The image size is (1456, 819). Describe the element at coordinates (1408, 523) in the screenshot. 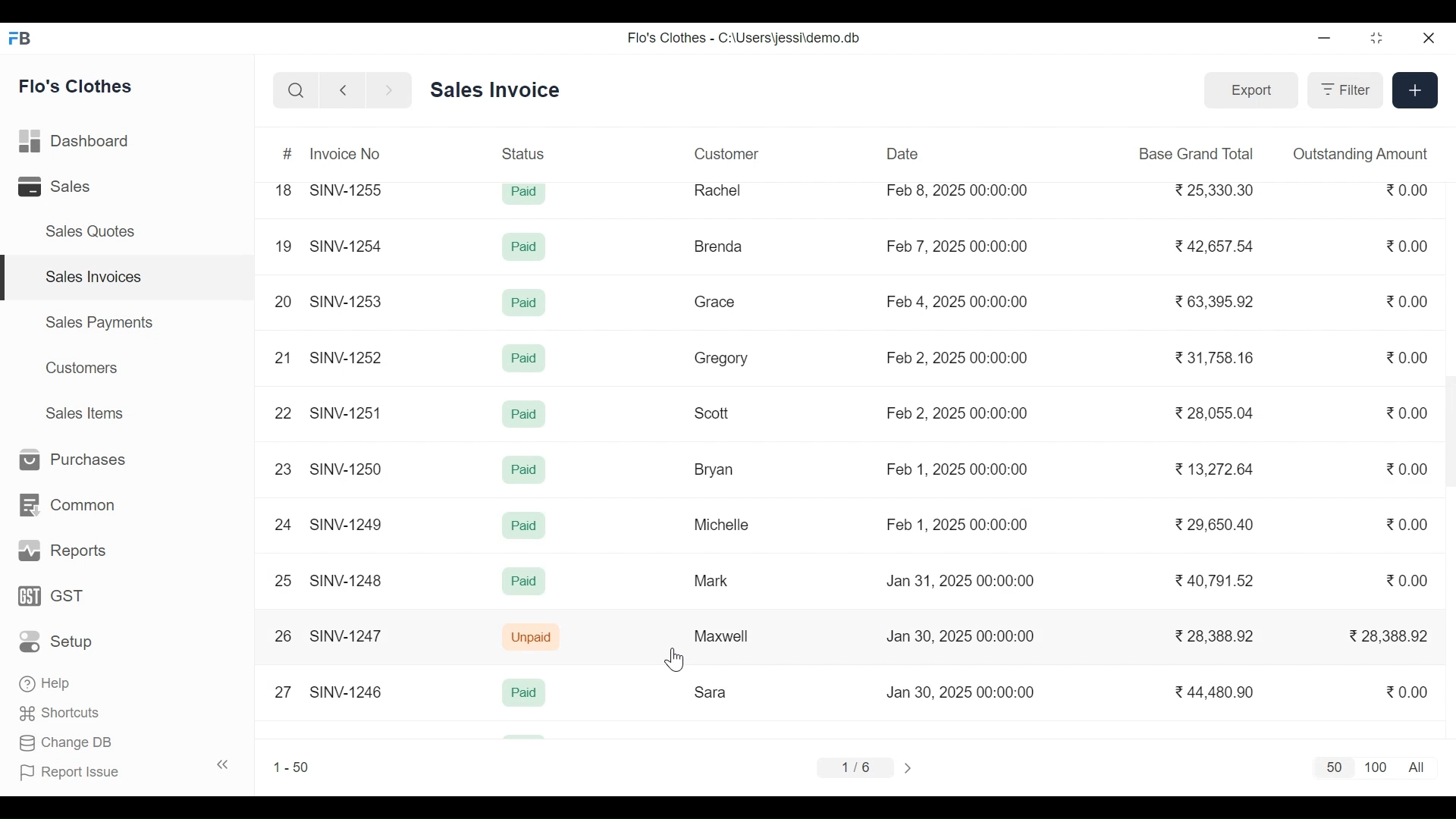

I see `0.00` at that location.